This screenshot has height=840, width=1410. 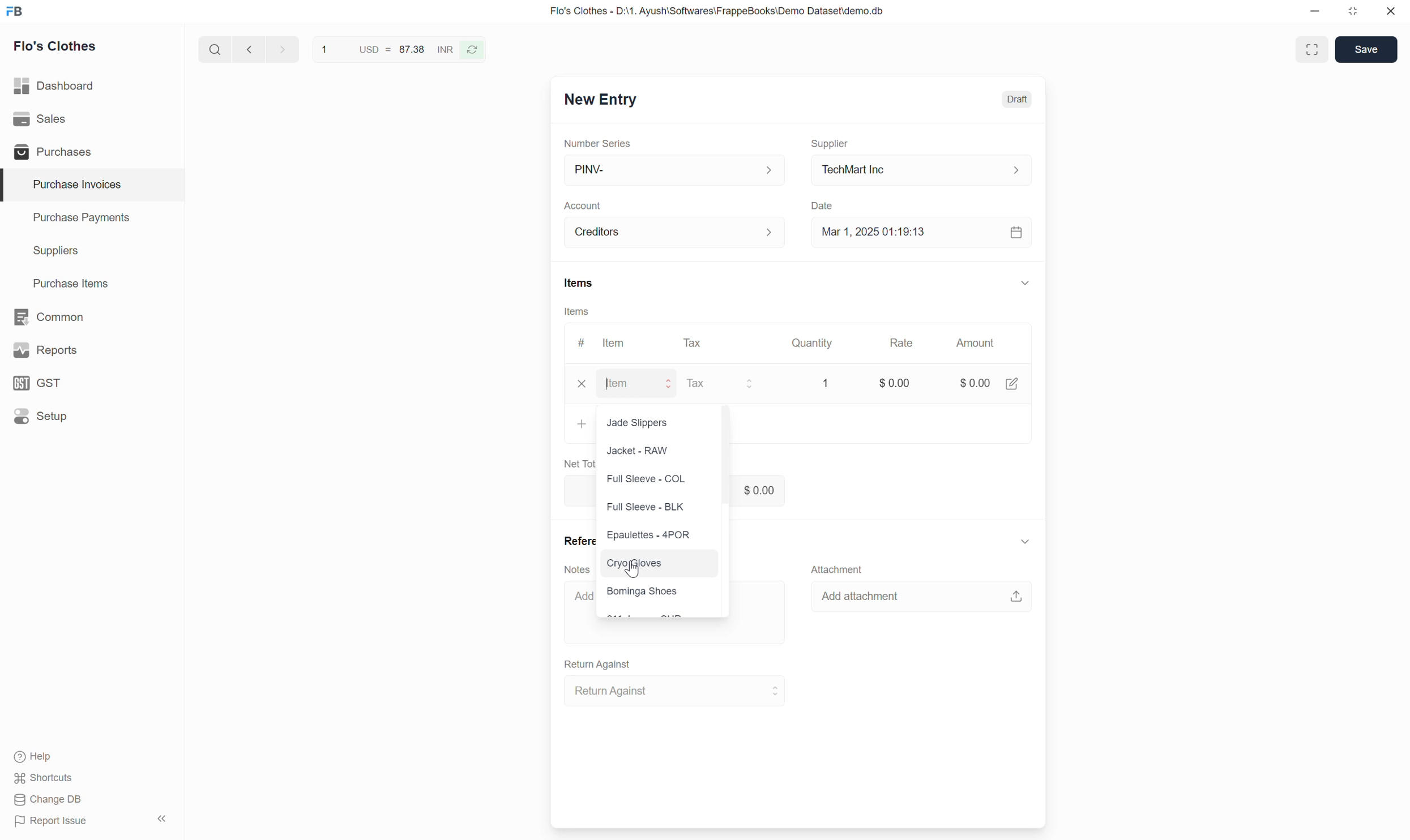 I want to click on Tax, so click(x=694, y=342).